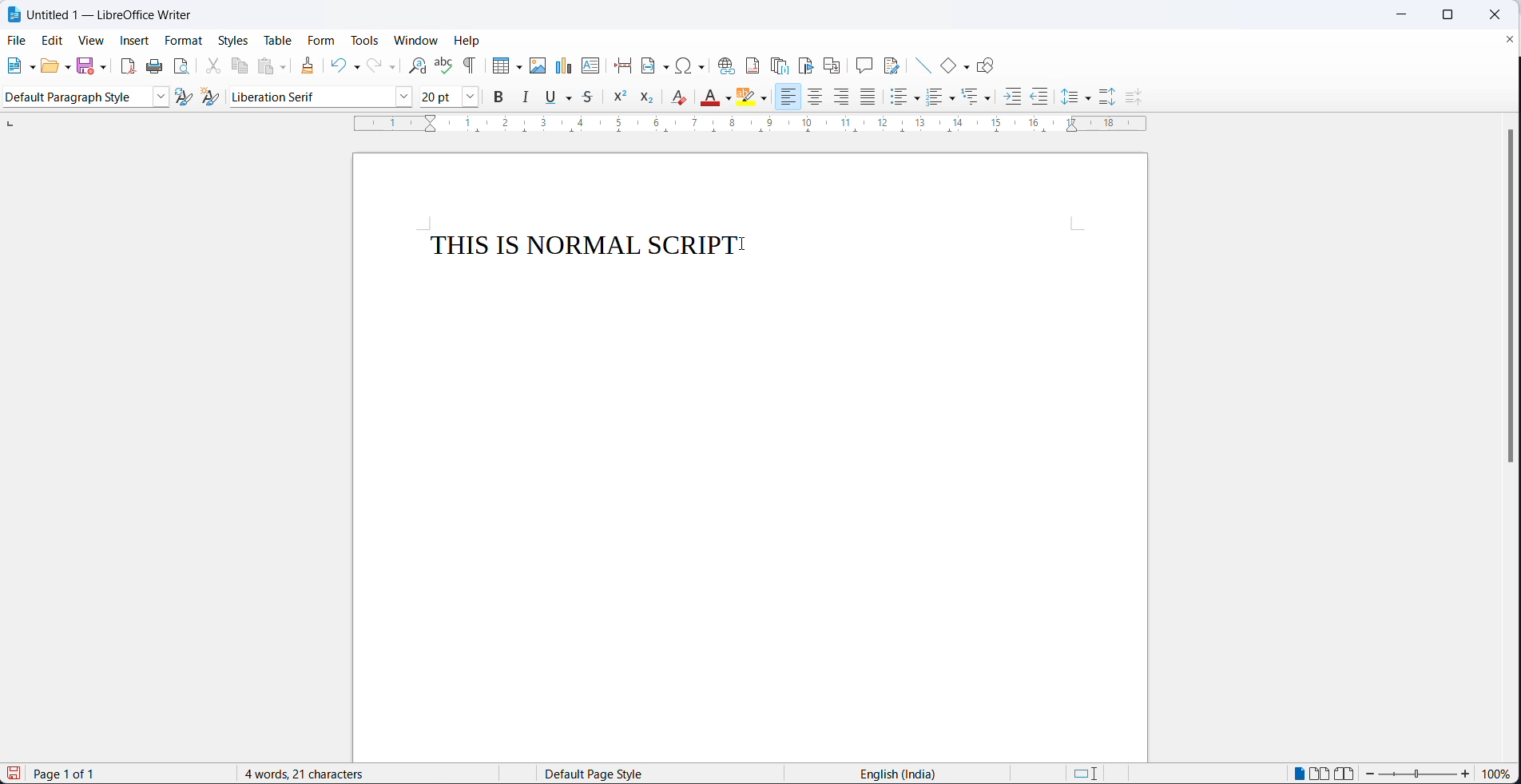 This screenshot has height=784, width=1521. I want to click on font name, so click(311, 97).